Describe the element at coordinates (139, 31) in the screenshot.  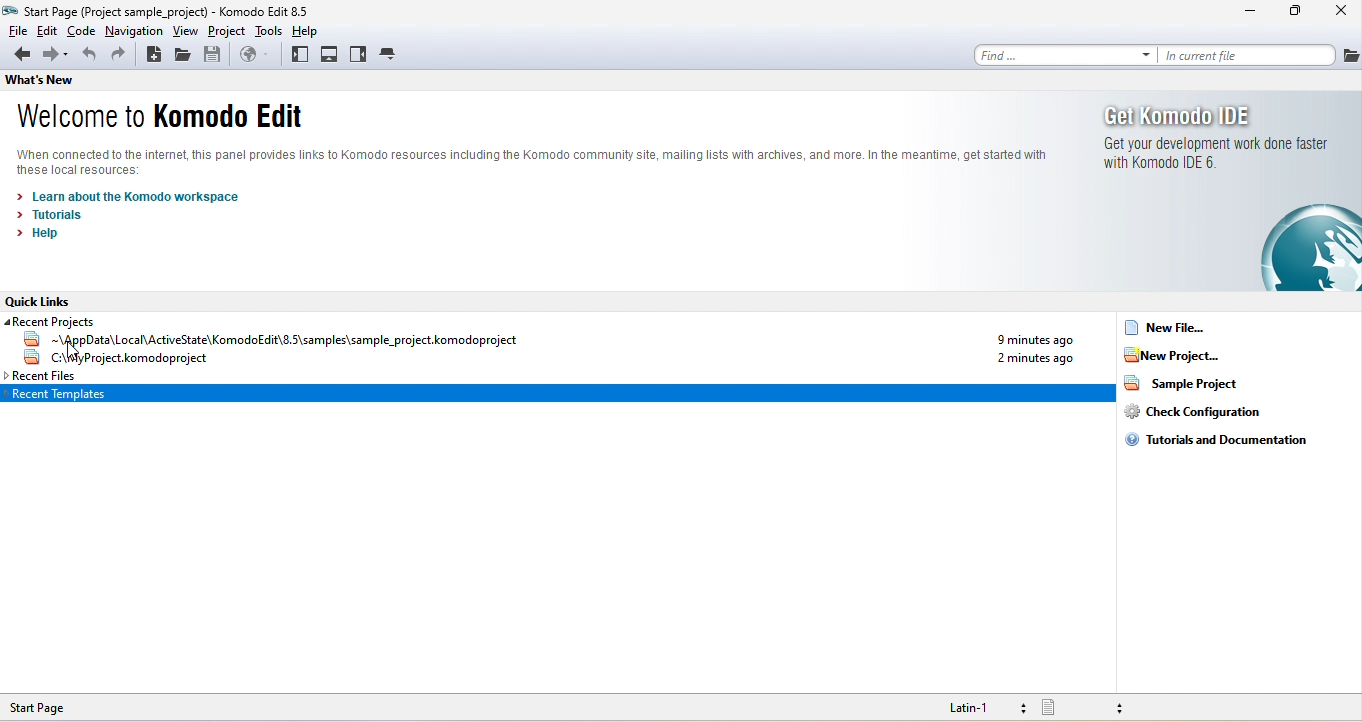
I see `navigation` at that location.